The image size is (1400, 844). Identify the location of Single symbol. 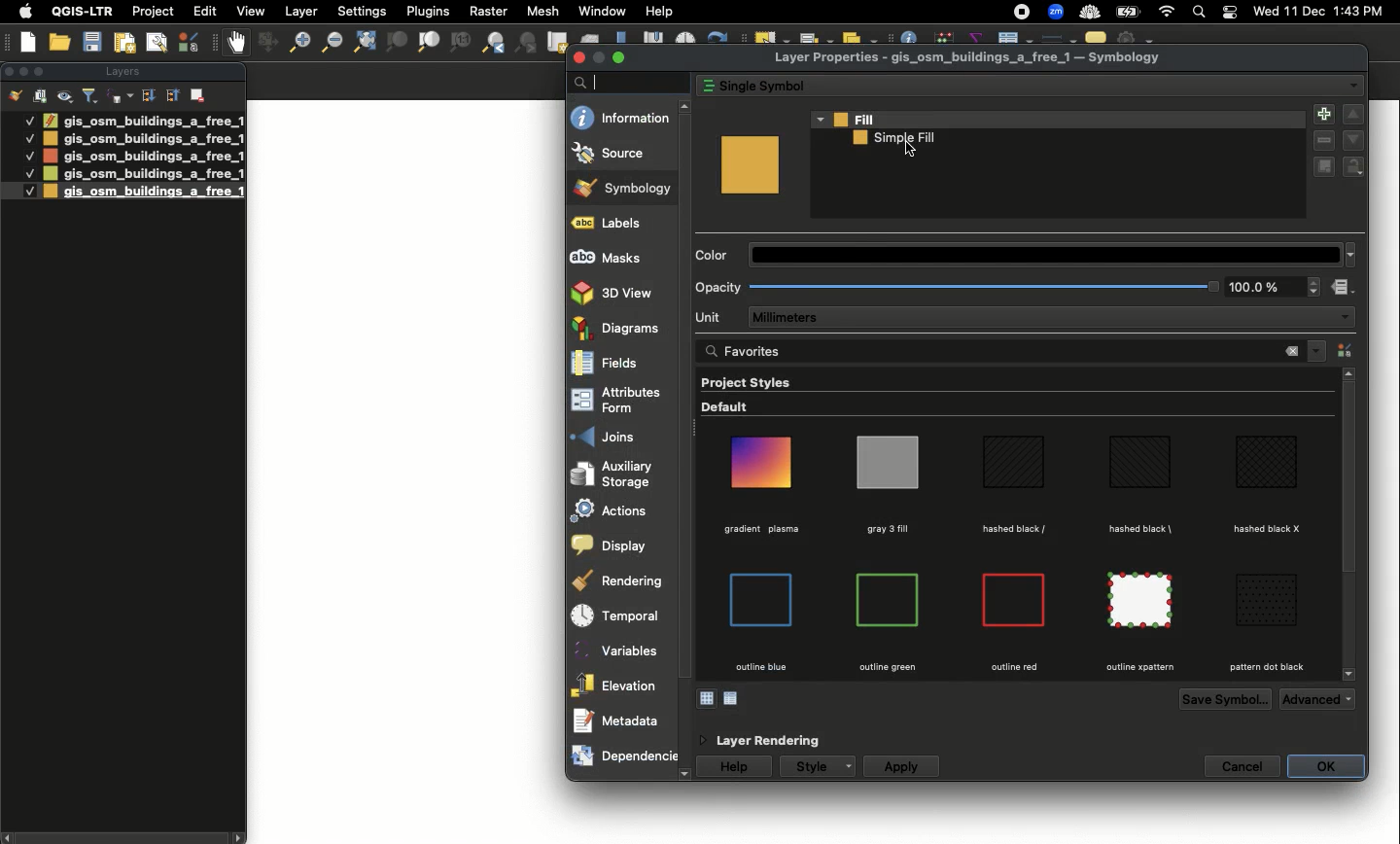
(1017, 87).